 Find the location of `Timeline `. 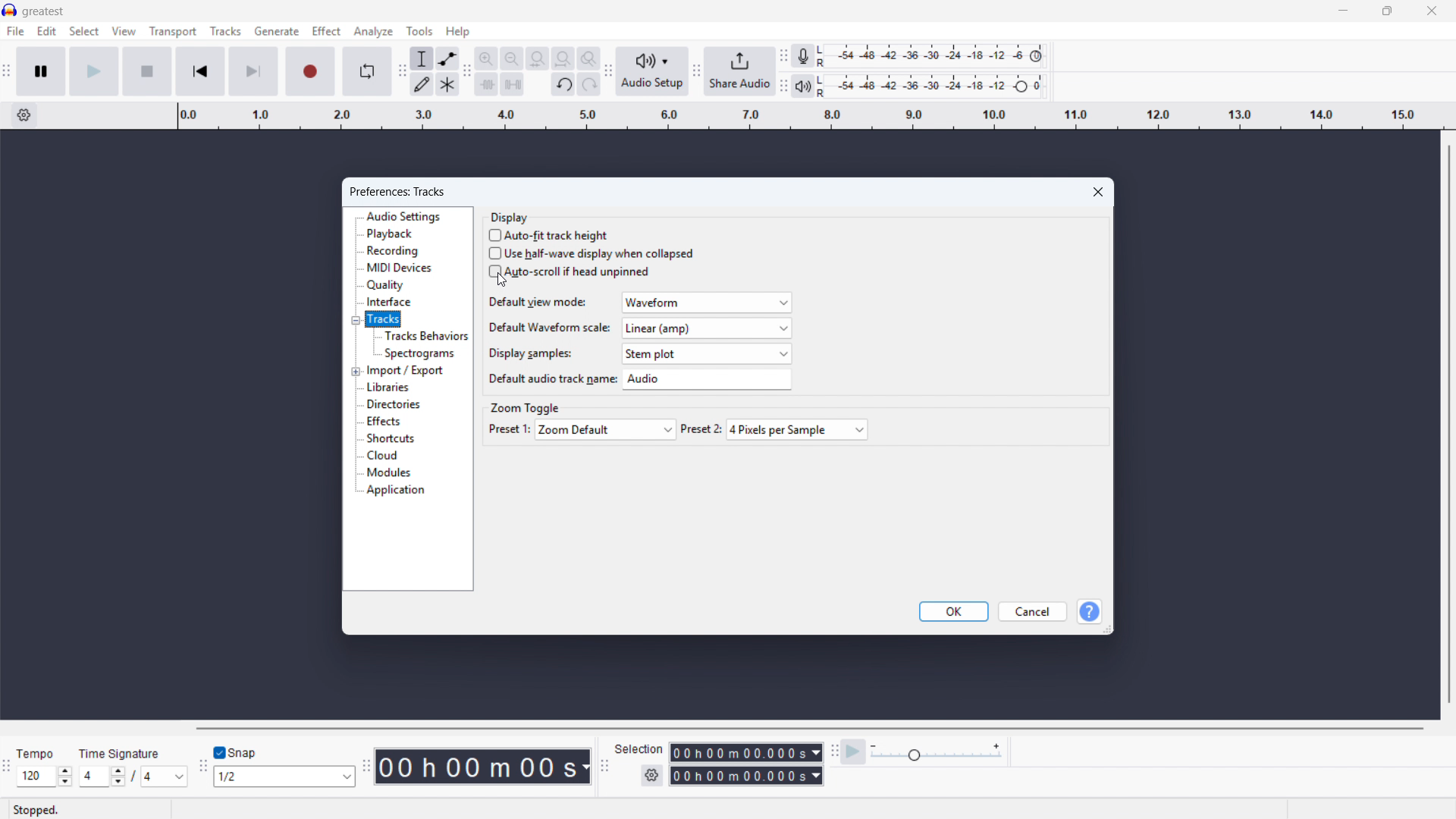

Timeline  is located at coordinates (810, 115).